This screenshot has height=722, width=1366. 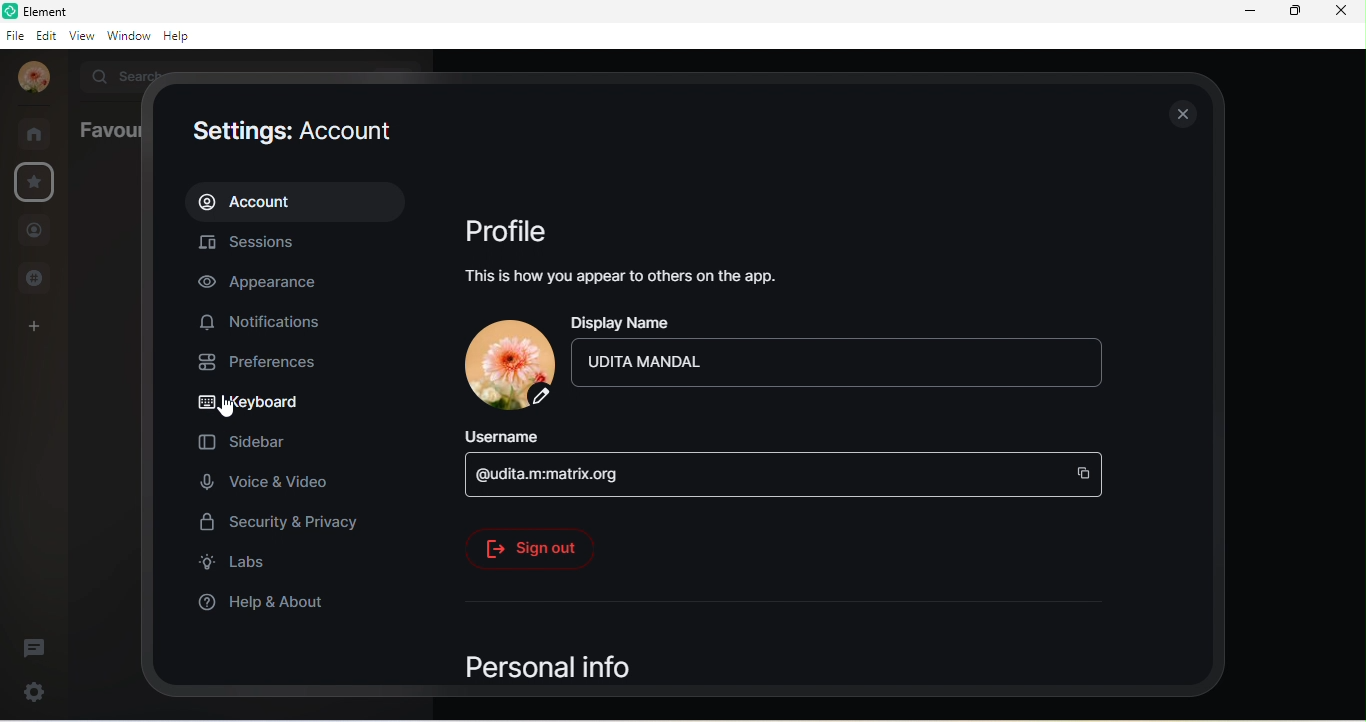 What do you see at coordinates (269, 562) in the screenshot?
I see `labs` at bounding box center [269, 562].